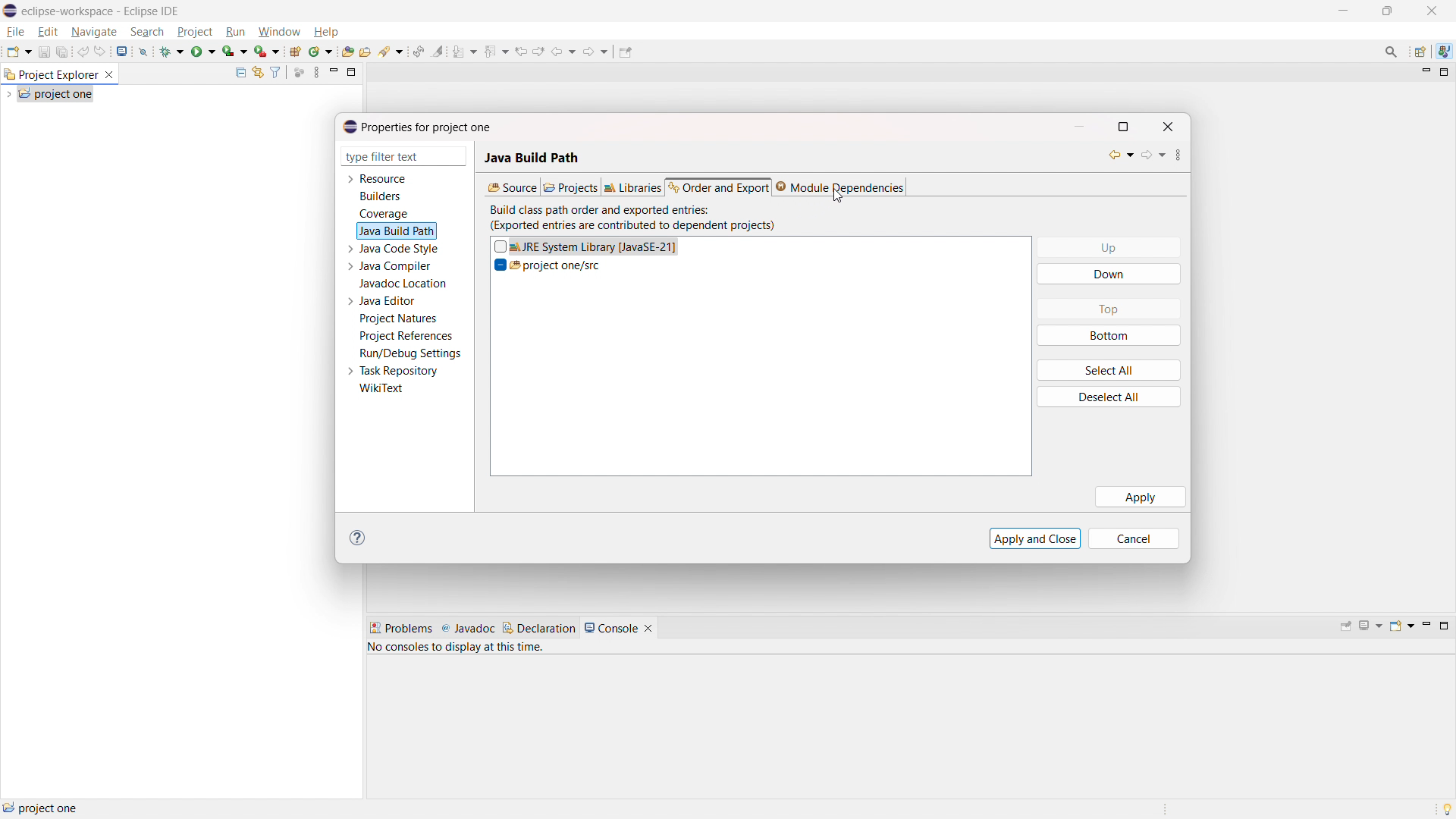 The image size is (1456, 819). Describe the element at coordinates (1141, 538) in the screenshot. I see `cancel` at that location.